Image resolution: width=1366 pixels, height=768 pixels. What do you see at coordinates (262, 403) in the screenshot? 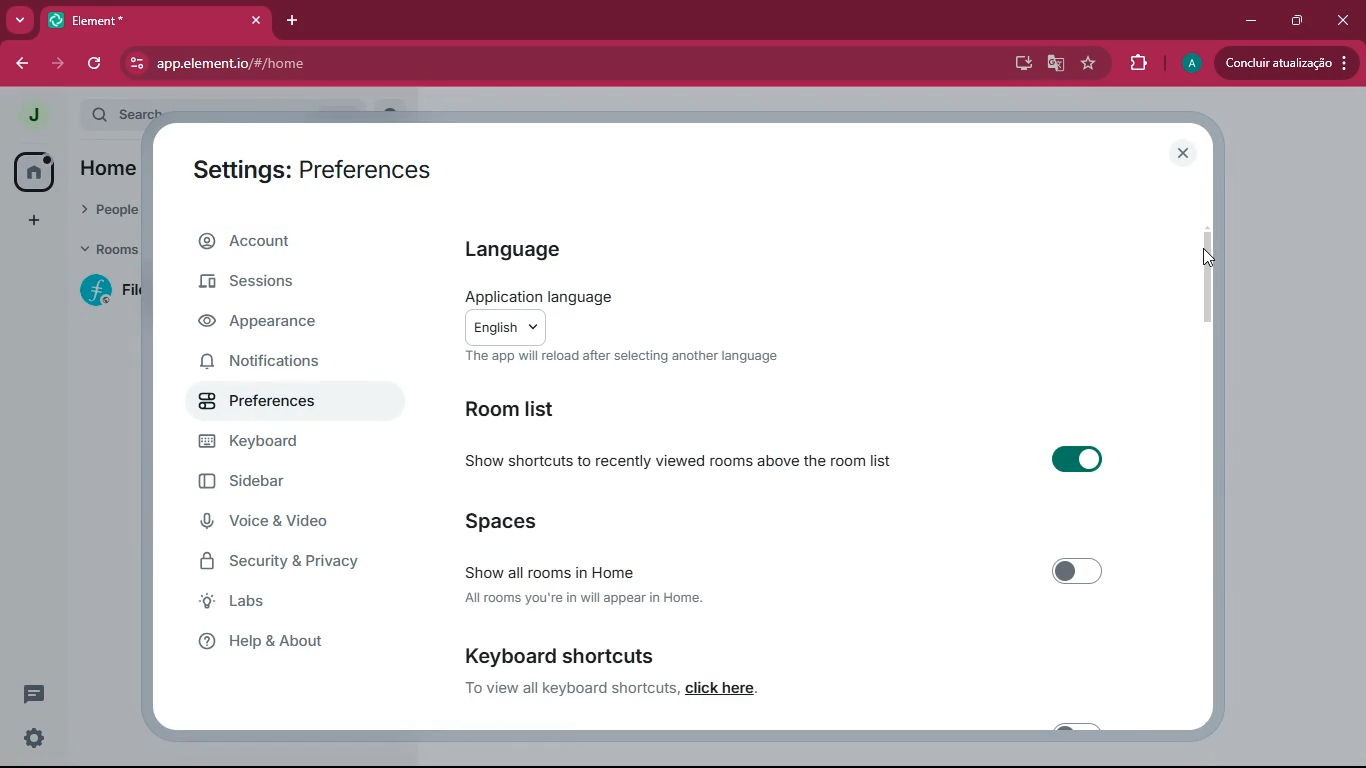
I see `preferences` at bounding box center [262, 403].